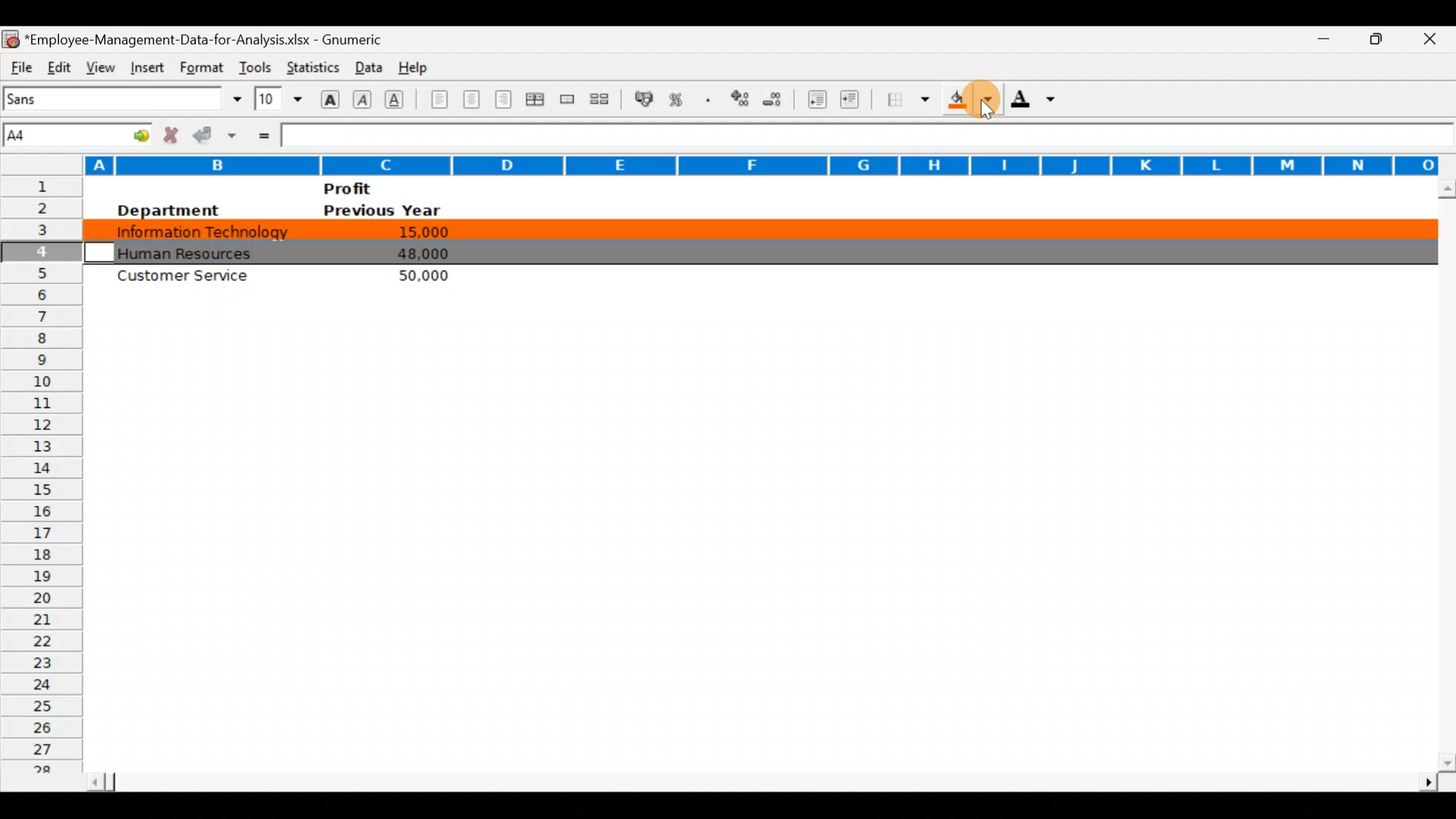 This screenshot has height=819, width=1456. What do you see at coordinates (213, 37) in the screenshot?
I see `*Employee-Management-Data-for-Analysis.xlsx - Gnumeric` at bounding box center [213, 37].